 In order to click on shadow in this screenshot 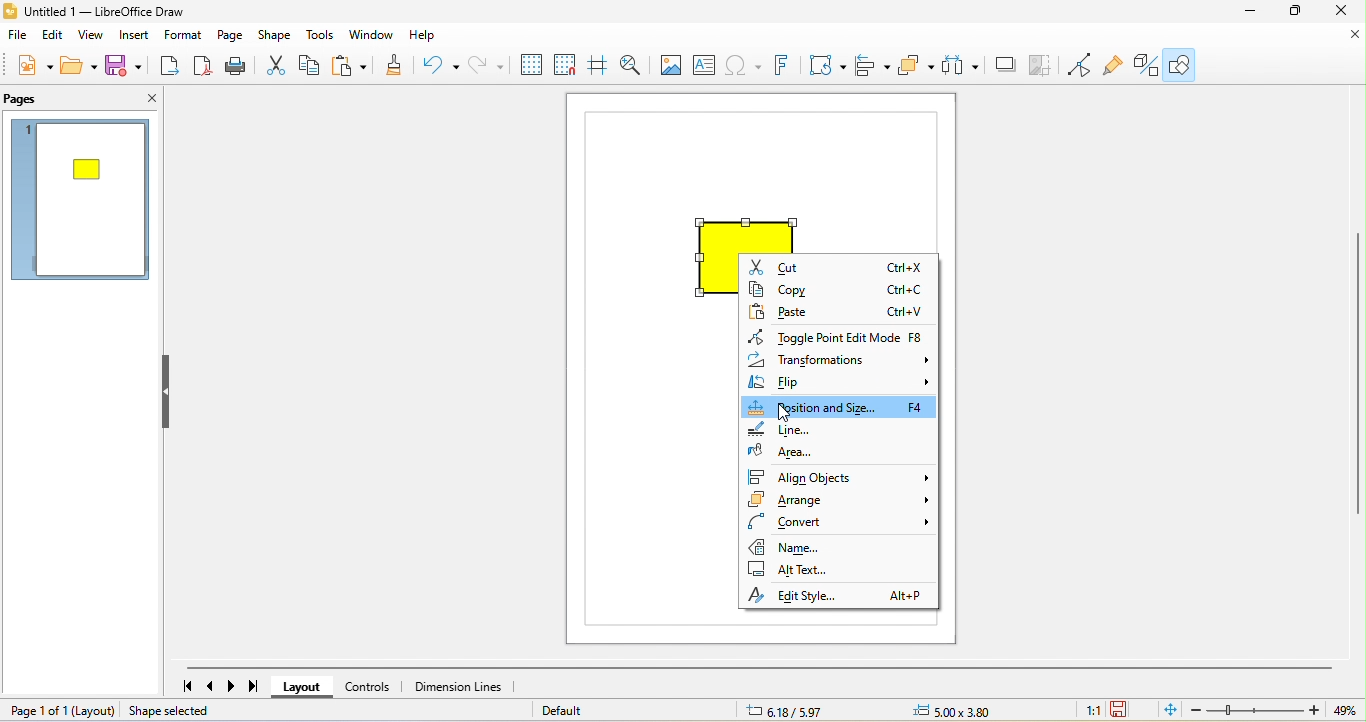, I will do `click(1006, 64)`.